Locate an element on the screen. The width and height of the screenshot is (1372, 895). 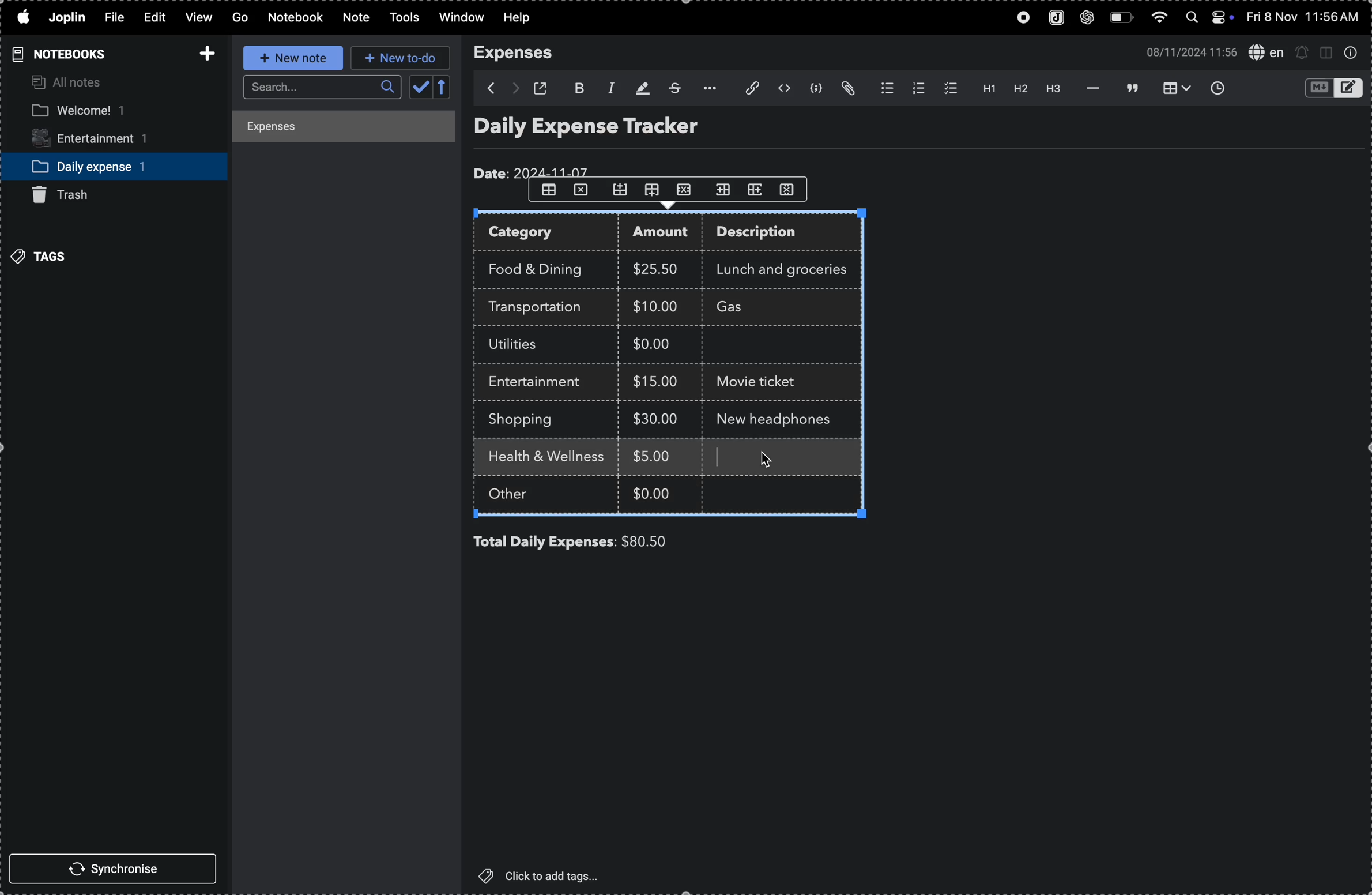
$30.00 is located at coordinates (655, 419).